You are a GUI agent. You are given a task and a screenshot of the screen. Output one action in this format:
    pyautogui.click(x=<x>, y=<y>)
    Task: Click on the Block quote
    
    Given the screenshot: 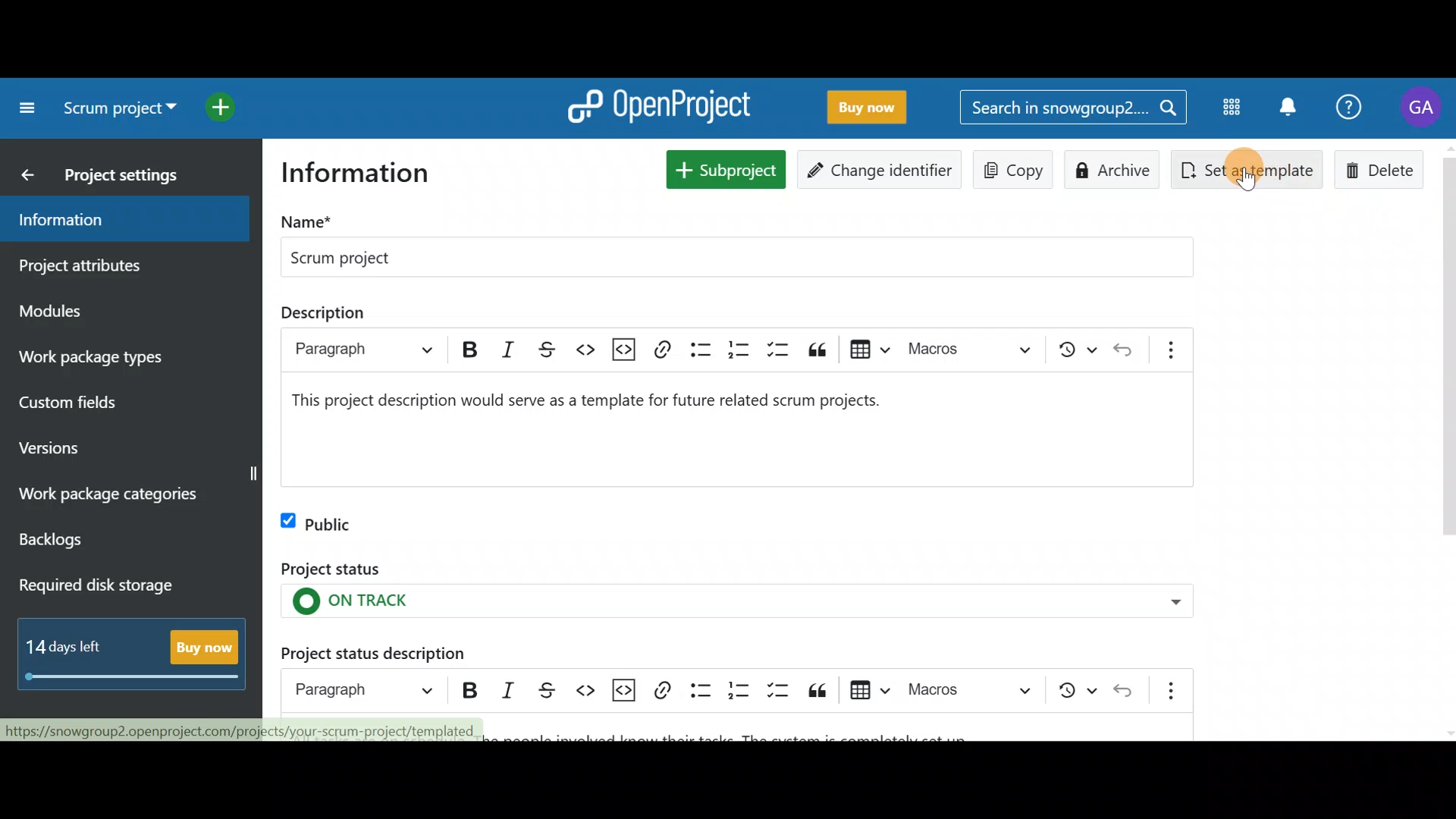 What is the action you would take?
    pyautogui.click(x=818, y=691)
    